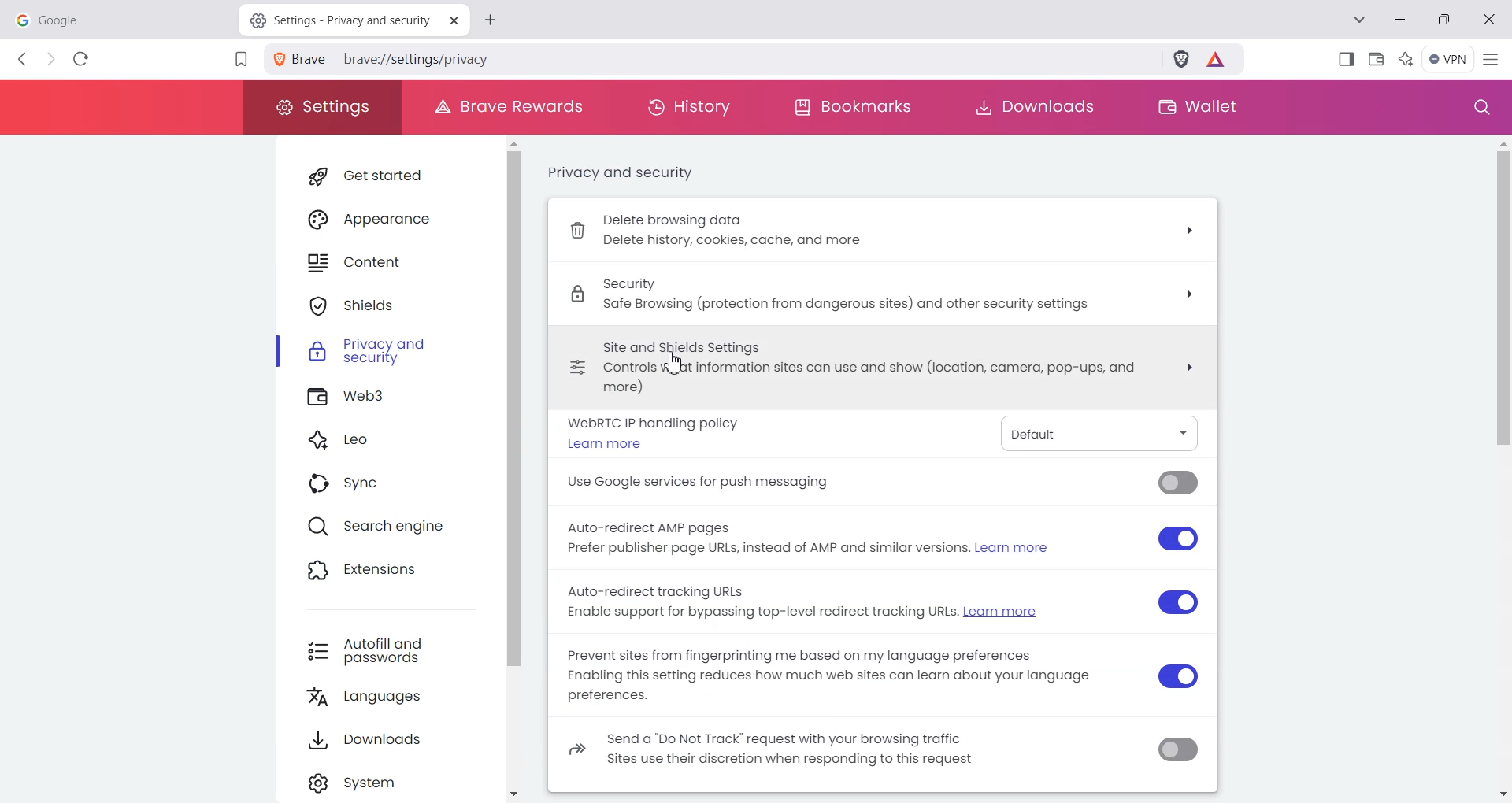  What do you see at coordinates (624, 176) in the screenshot?
I see `privacy and security` at bounding box center [624, 176].